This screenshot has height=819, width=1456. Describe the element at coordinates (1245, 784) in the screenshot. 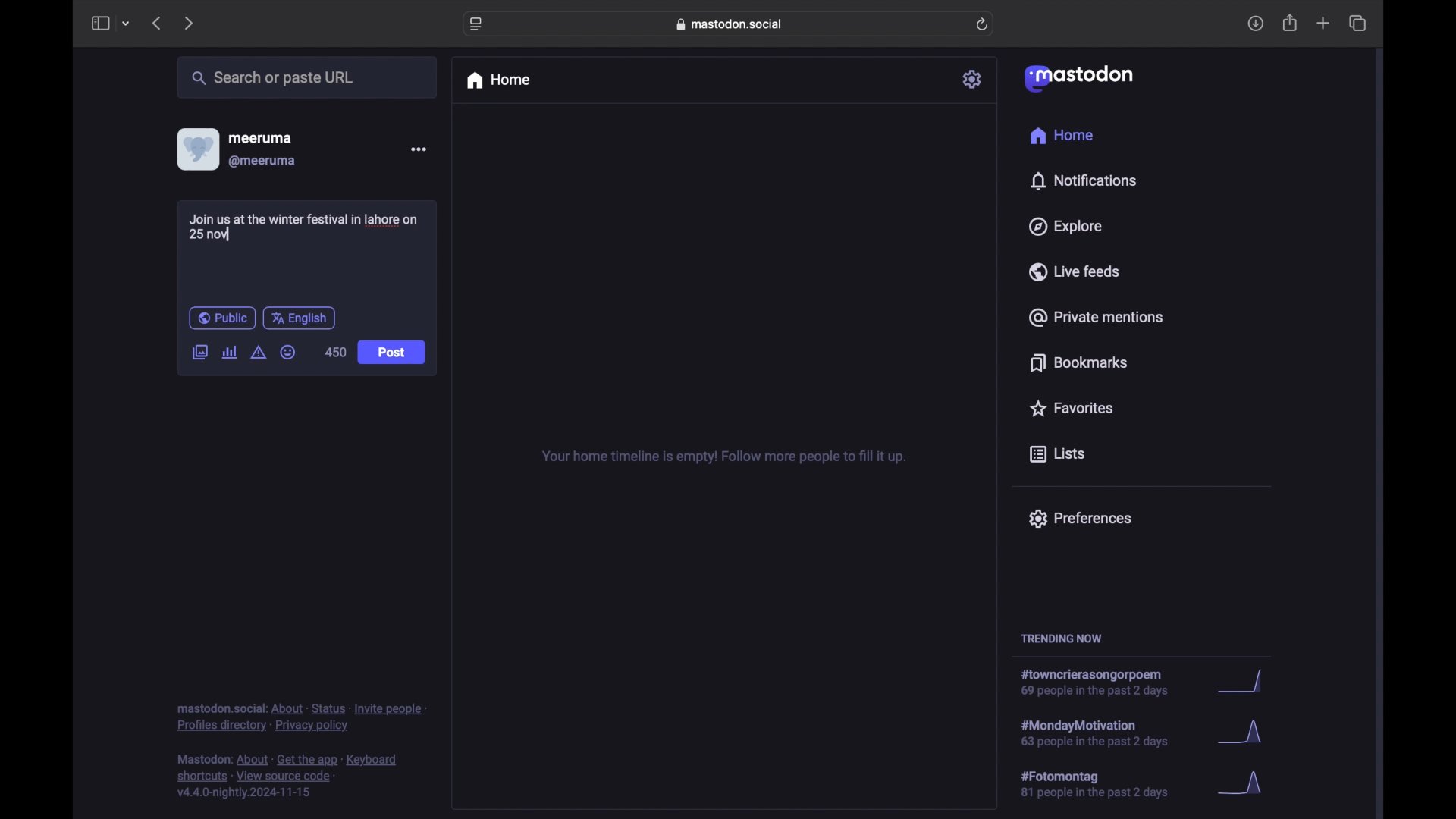

I see `graph` at that location.